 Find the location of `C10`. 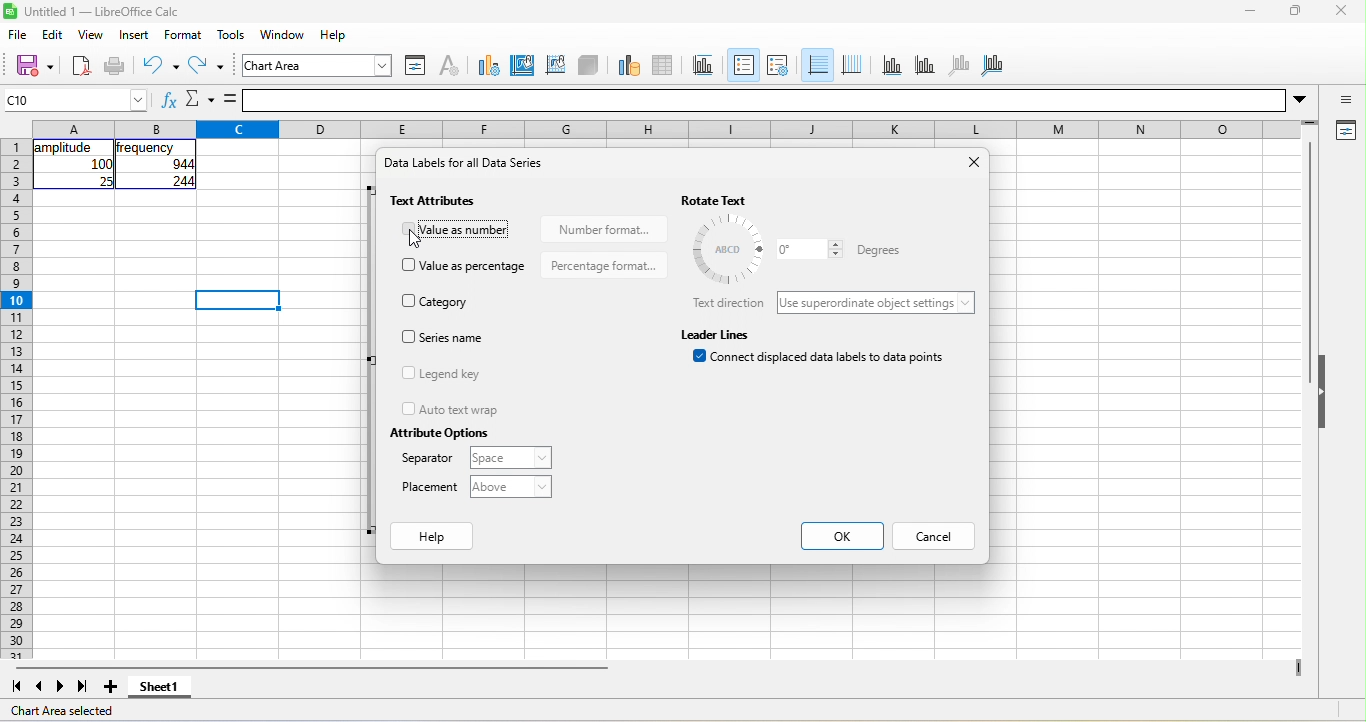

C10 is located at coordinates (76, 100).